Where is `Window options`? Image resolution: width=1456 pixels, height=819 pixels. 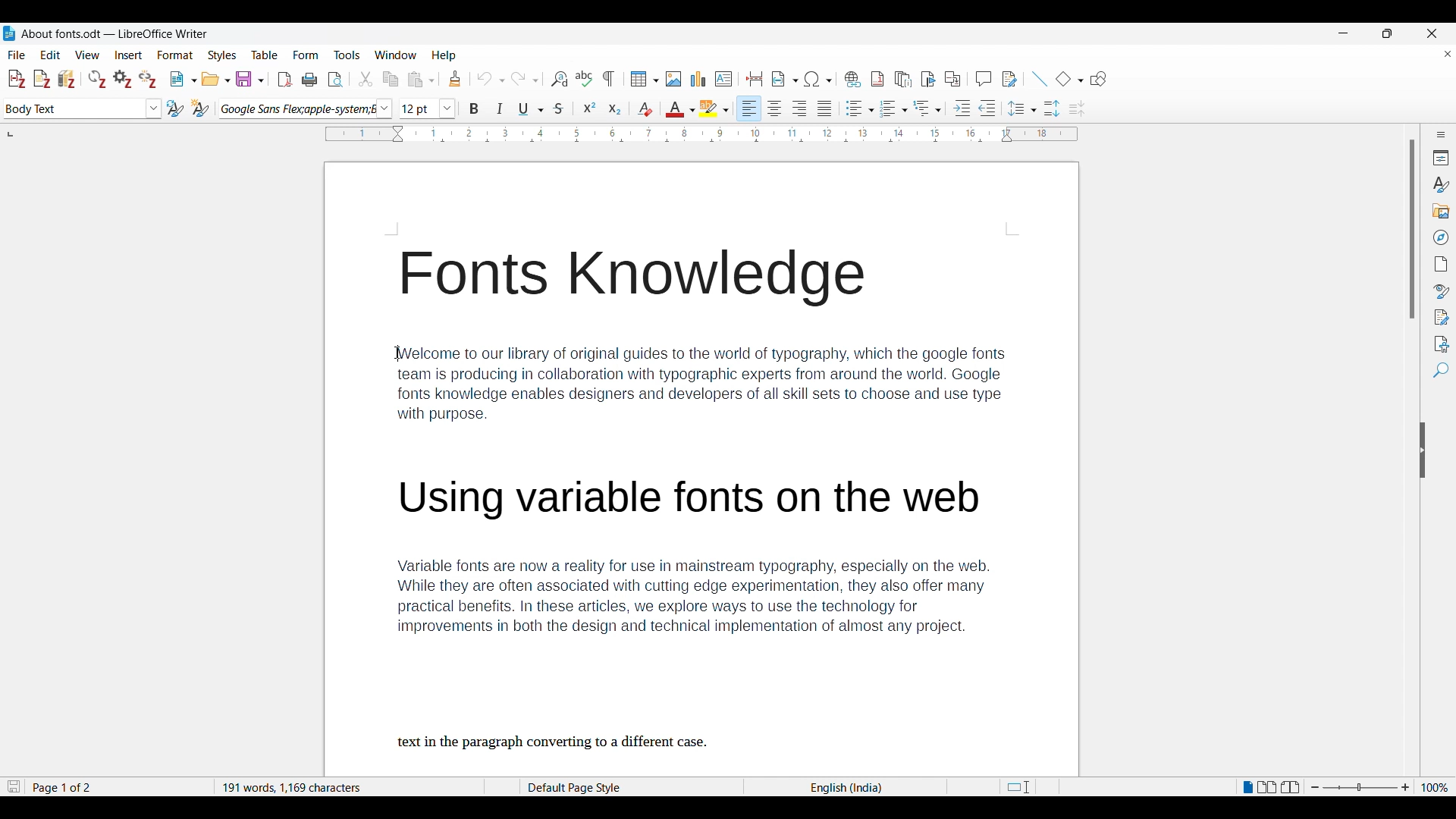 Window options is located at coordinates (396, 55).